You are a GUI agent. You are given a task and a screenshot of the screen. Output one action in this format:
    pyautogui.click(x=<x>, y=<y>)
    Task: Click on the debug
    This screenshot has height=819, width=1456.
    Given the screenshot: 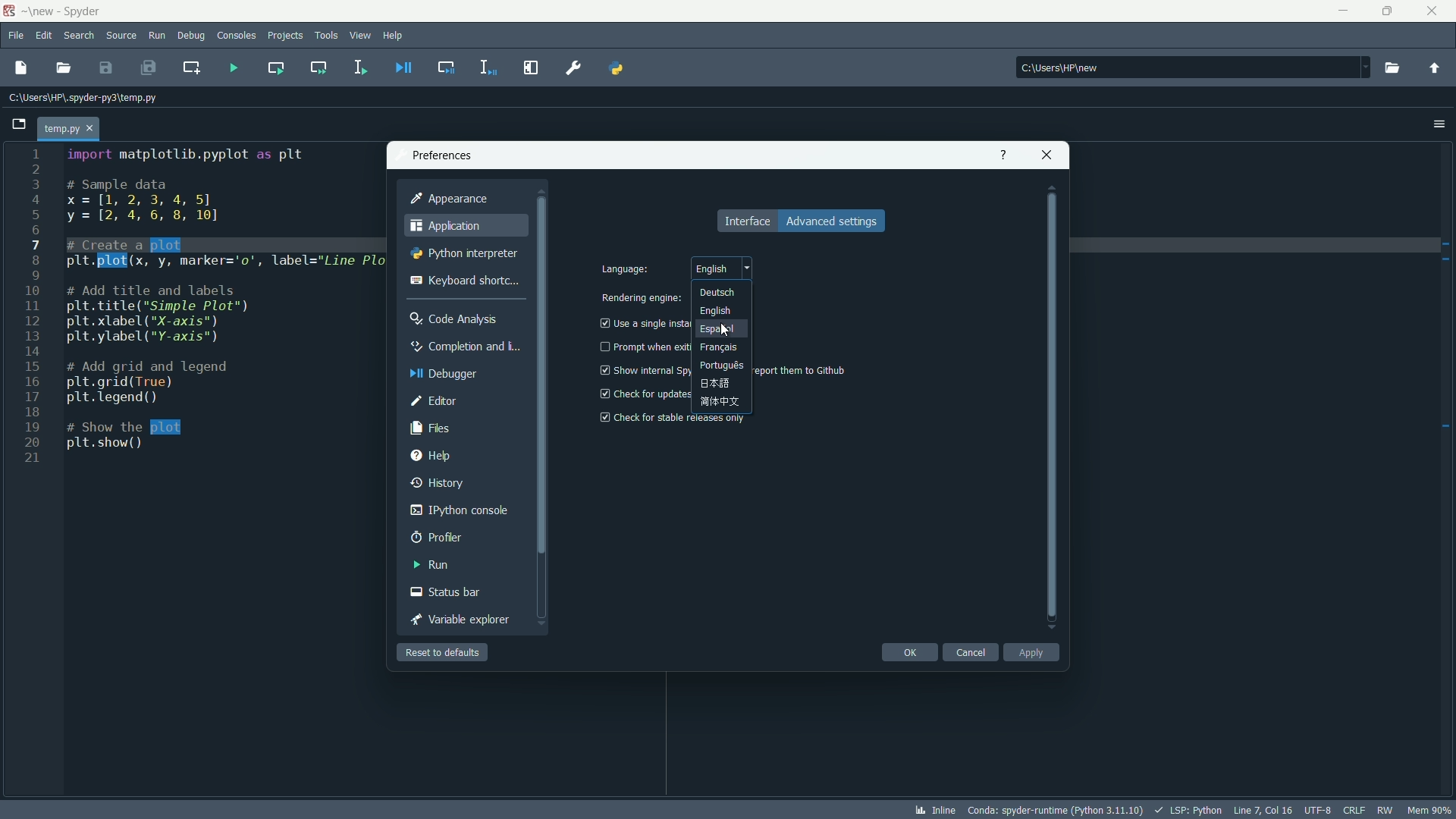 What is the action you would take?
    pyautogui.click(x=193, y=36)
    